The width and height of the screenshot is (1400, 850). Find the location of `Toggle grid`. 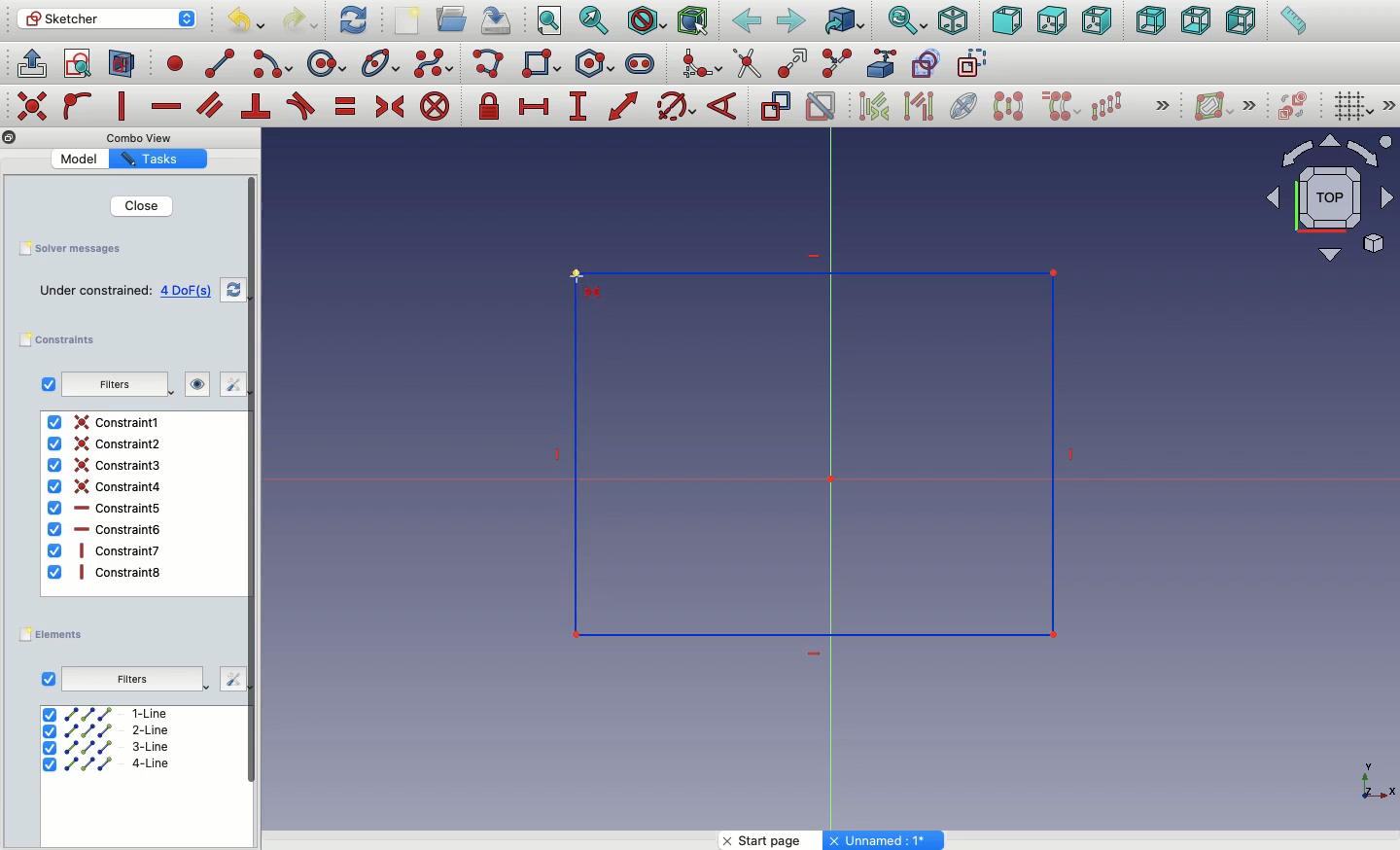

Toggle grid is located at coordinates (1351, 105).